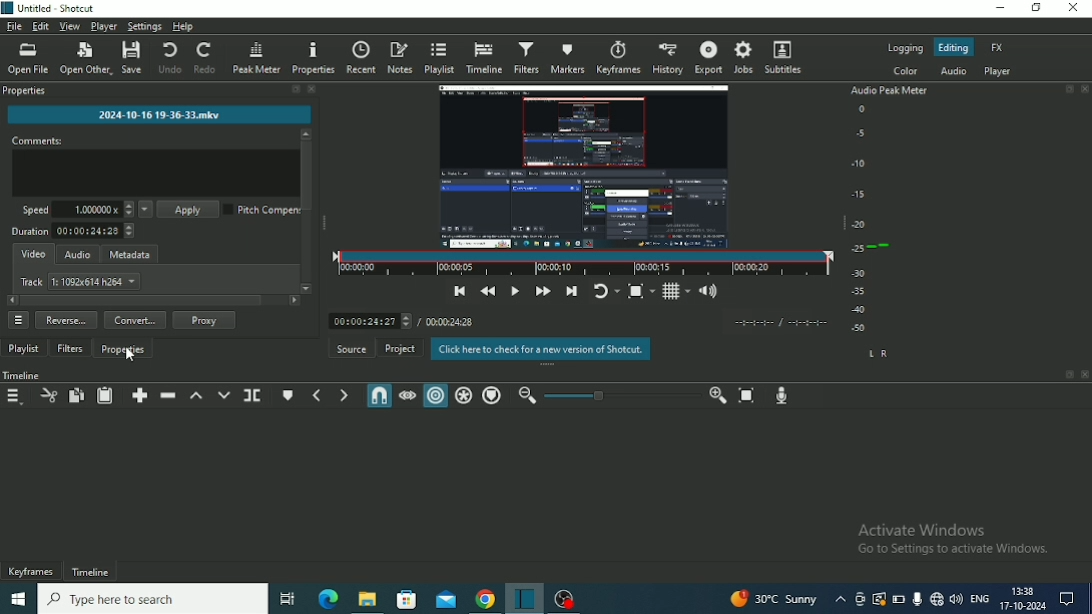 This screenshot has width=1092, height=614. Describe the element at coordinates (70, 349) in the screenshot. I see `Filters` at that location.